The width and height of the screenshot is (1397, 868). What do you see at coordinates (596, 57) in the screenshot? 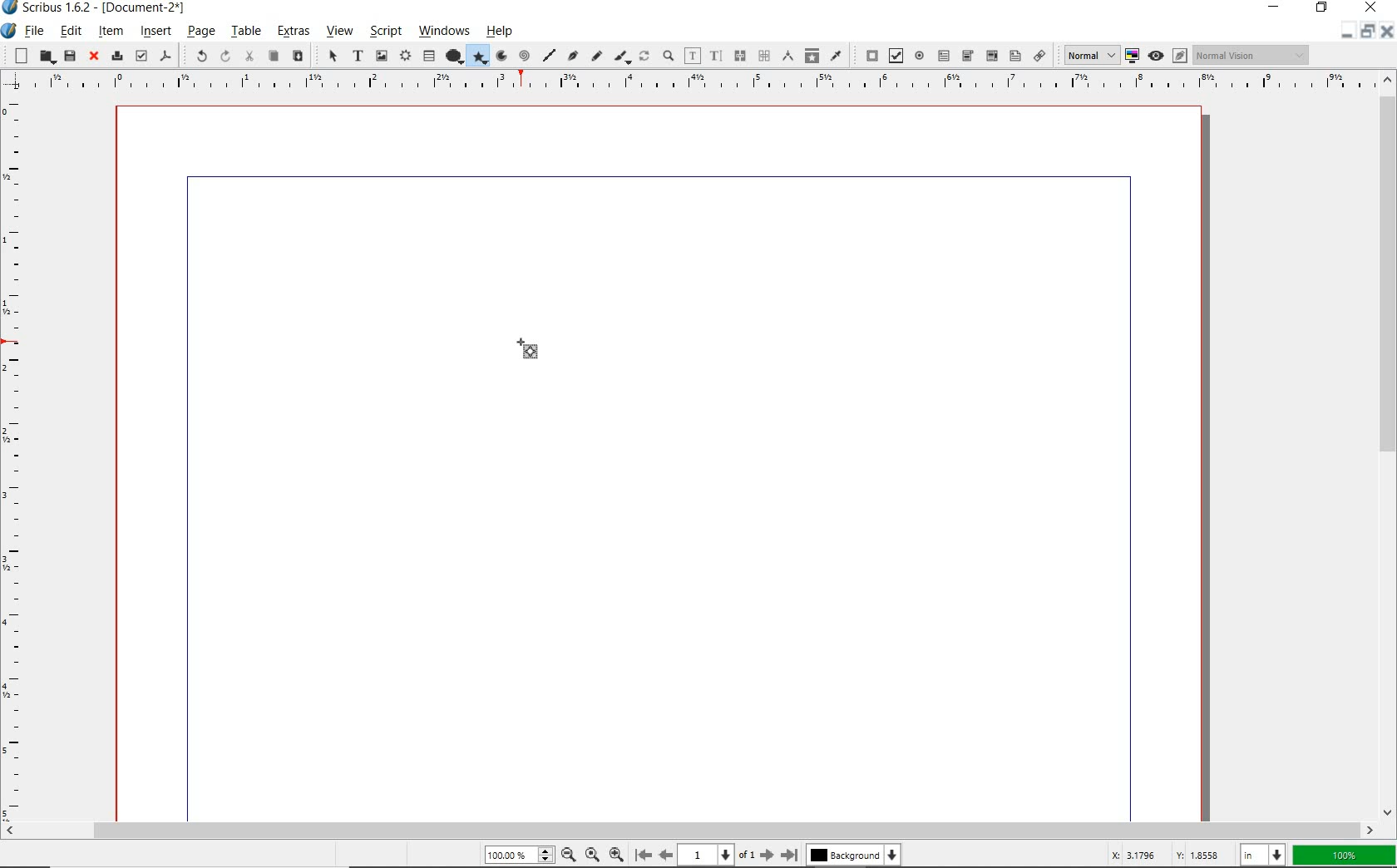
I see `freehand line` at bounding box center [596, 57].